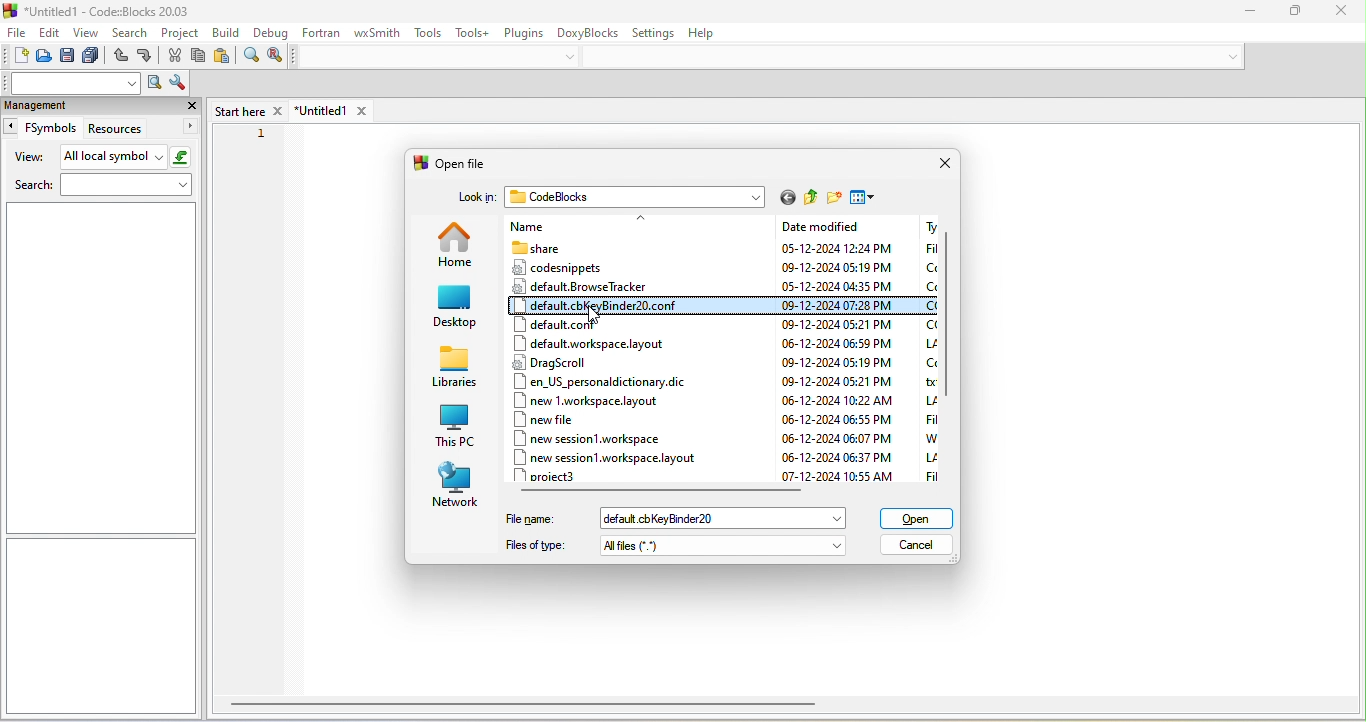 Image resolution: width=1366 pixels, height=722 pixels. Describe the element at coordinates (82, 106) in the screenshot. I see `management` at that location.